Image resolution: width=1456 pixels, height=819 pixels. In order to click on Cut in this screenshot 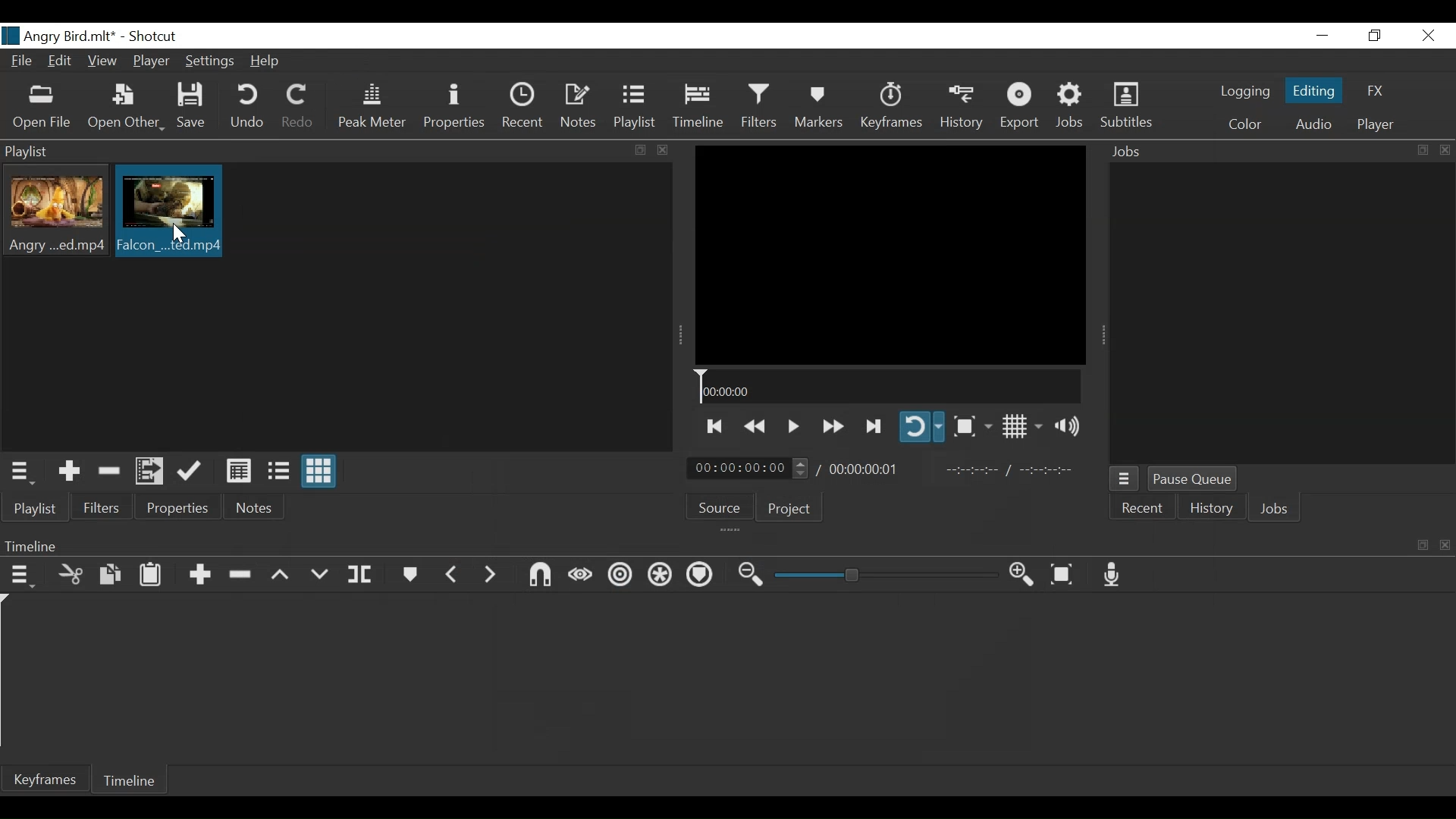, I will do `click(71, 576)`.